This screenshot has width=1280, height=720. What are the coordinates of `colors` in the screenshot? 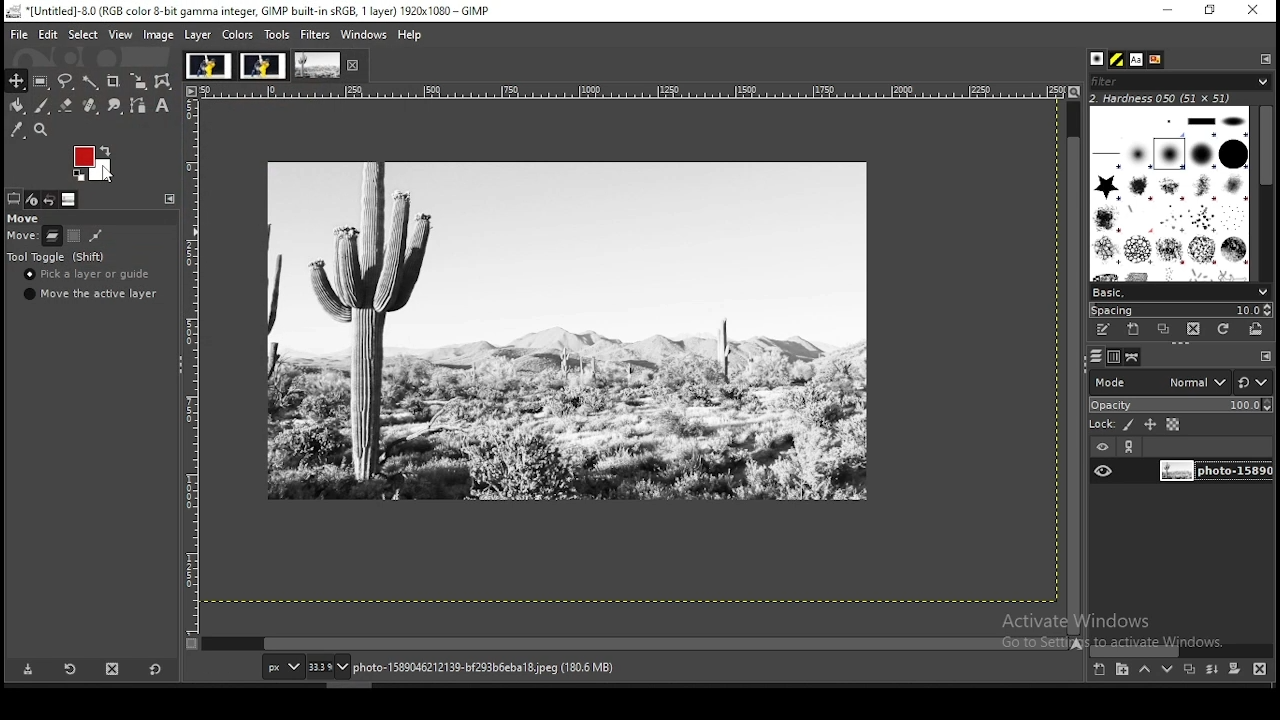 It's located at (238, 35).